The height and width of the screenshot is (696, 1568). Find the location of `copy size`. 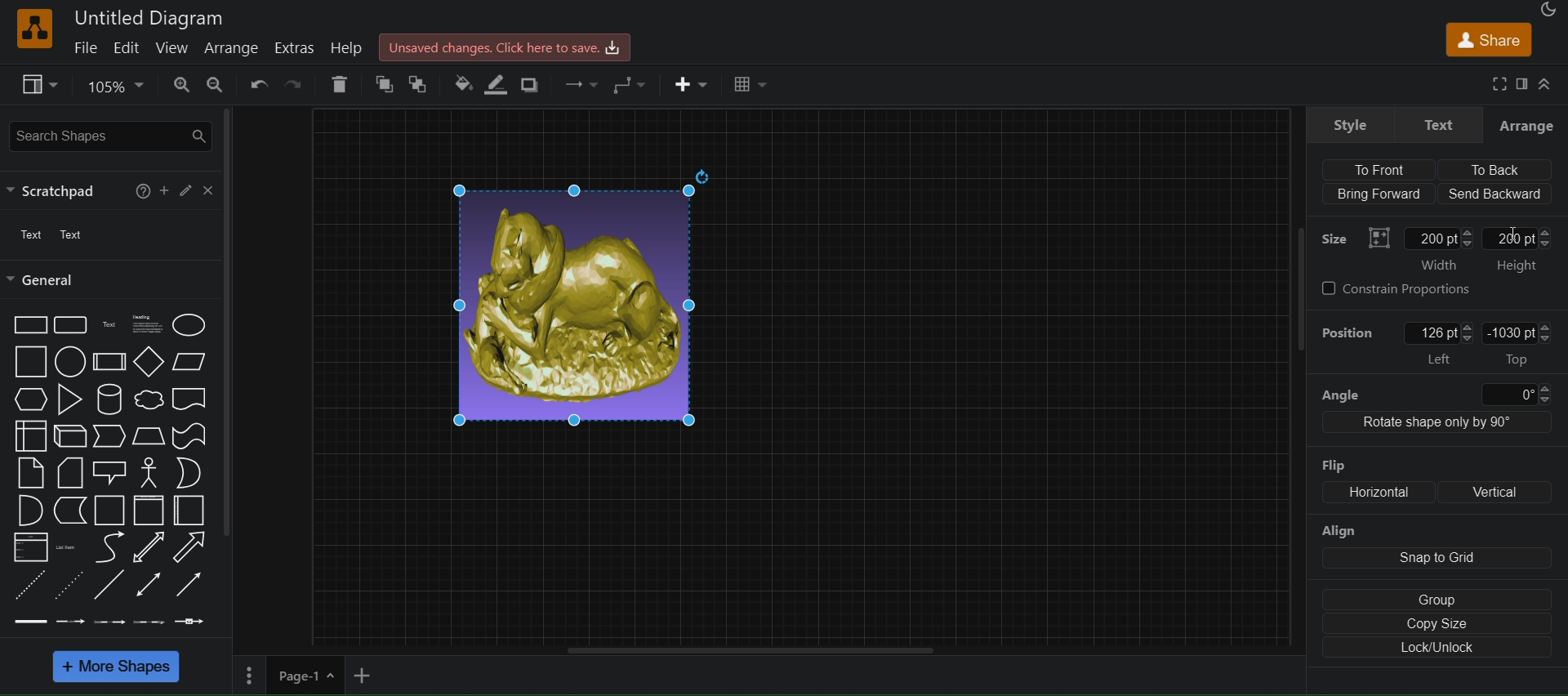

copy size is located at coordinates (1437, 625).